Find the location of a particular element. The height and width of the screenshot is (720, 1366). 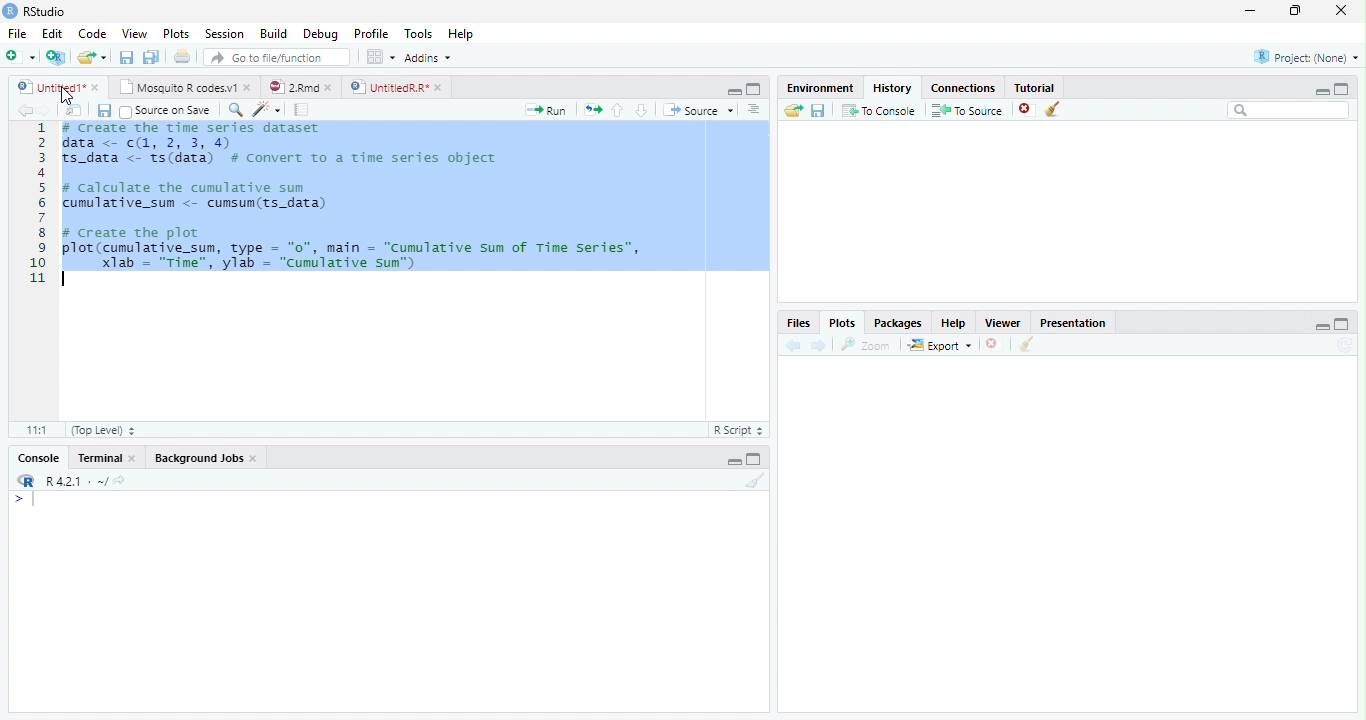

Maximize is located at coordinates (1341, 325).